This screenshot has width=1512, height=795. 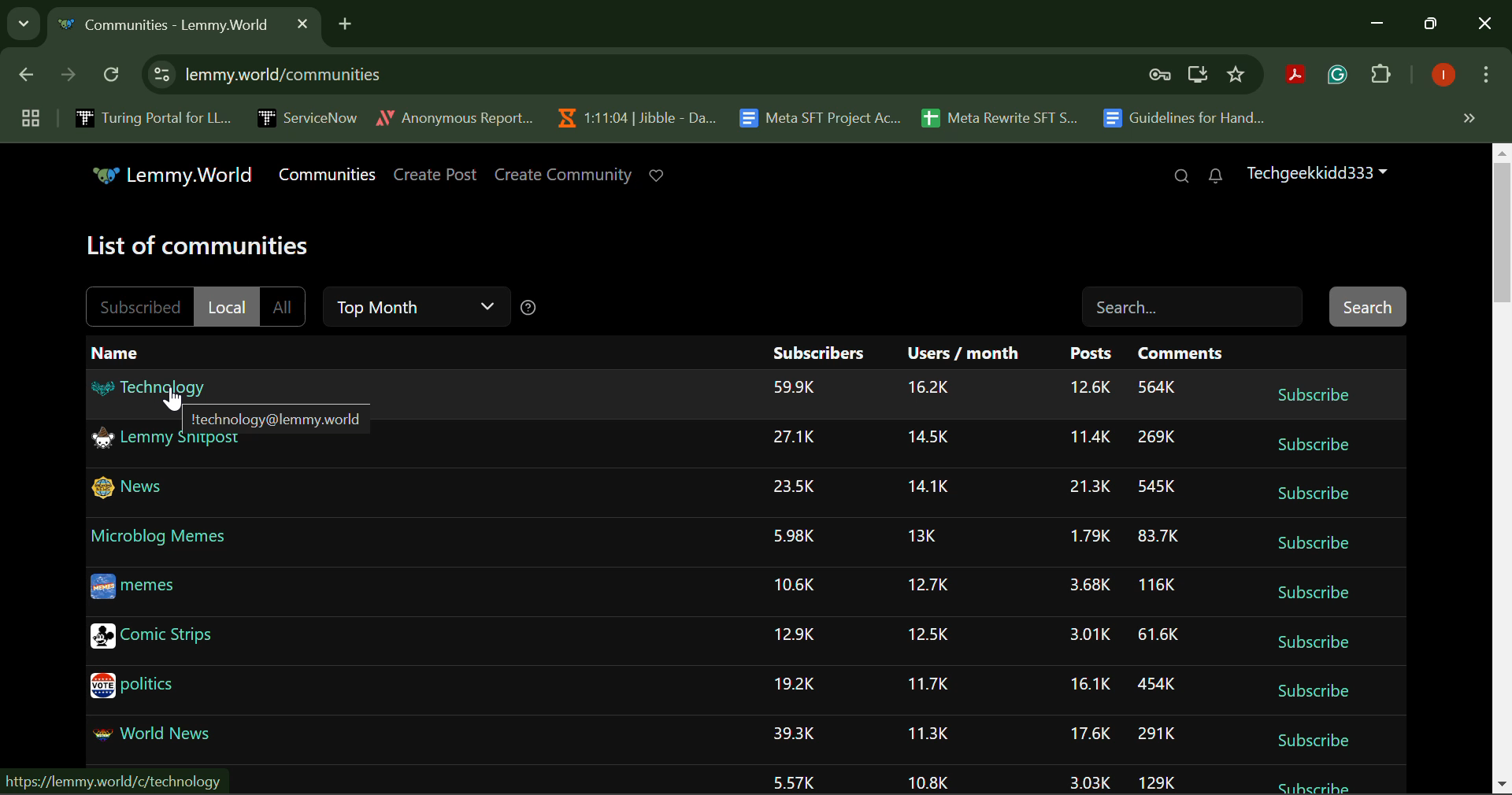 What do you see at coordinates (1095, 353) in the screenshot?
I see `Posts Column Heading` at bounding box center [1095, 353].